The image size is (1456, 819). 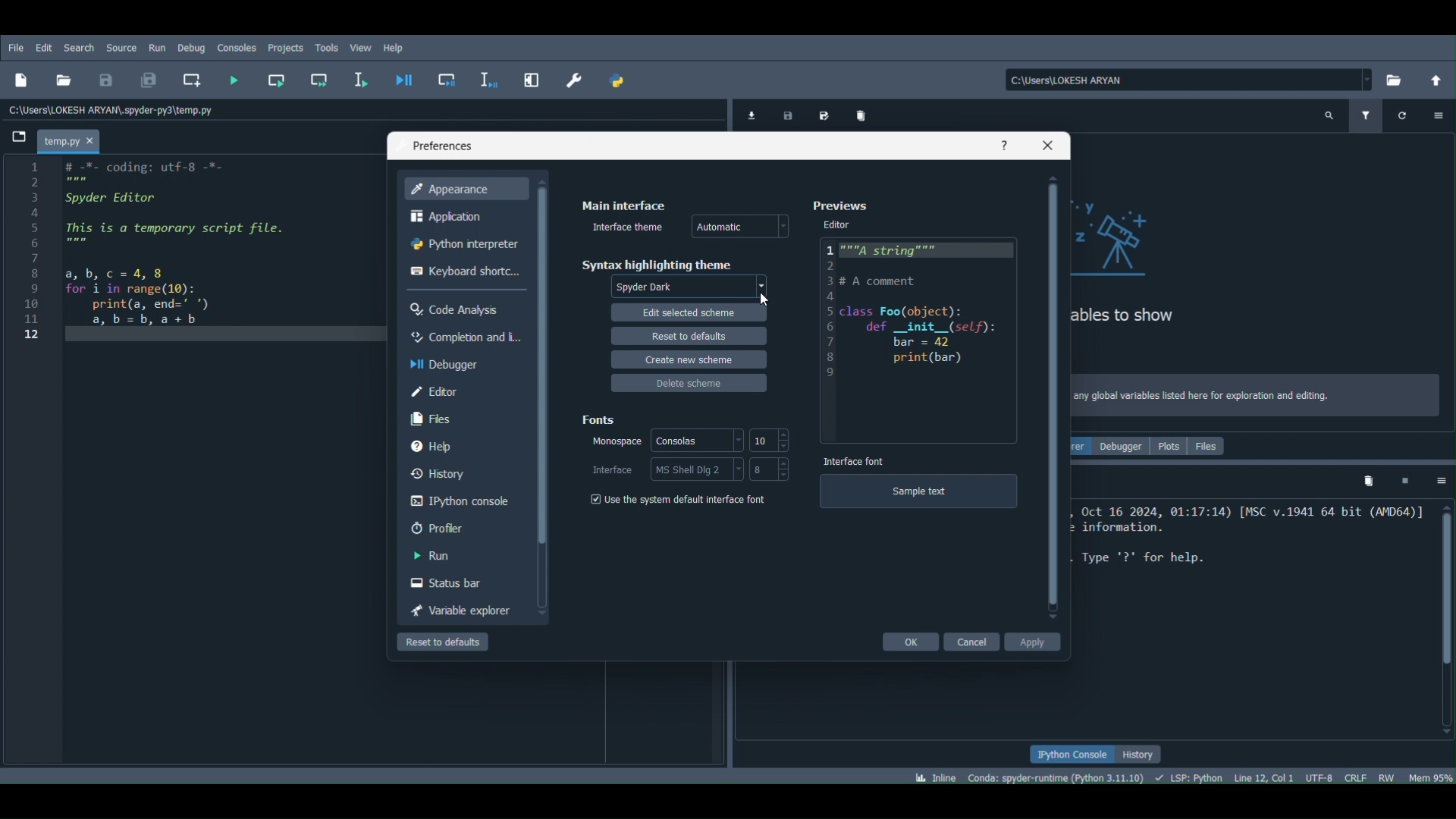 I want to click on Consoles, so click(x=697, y=438).